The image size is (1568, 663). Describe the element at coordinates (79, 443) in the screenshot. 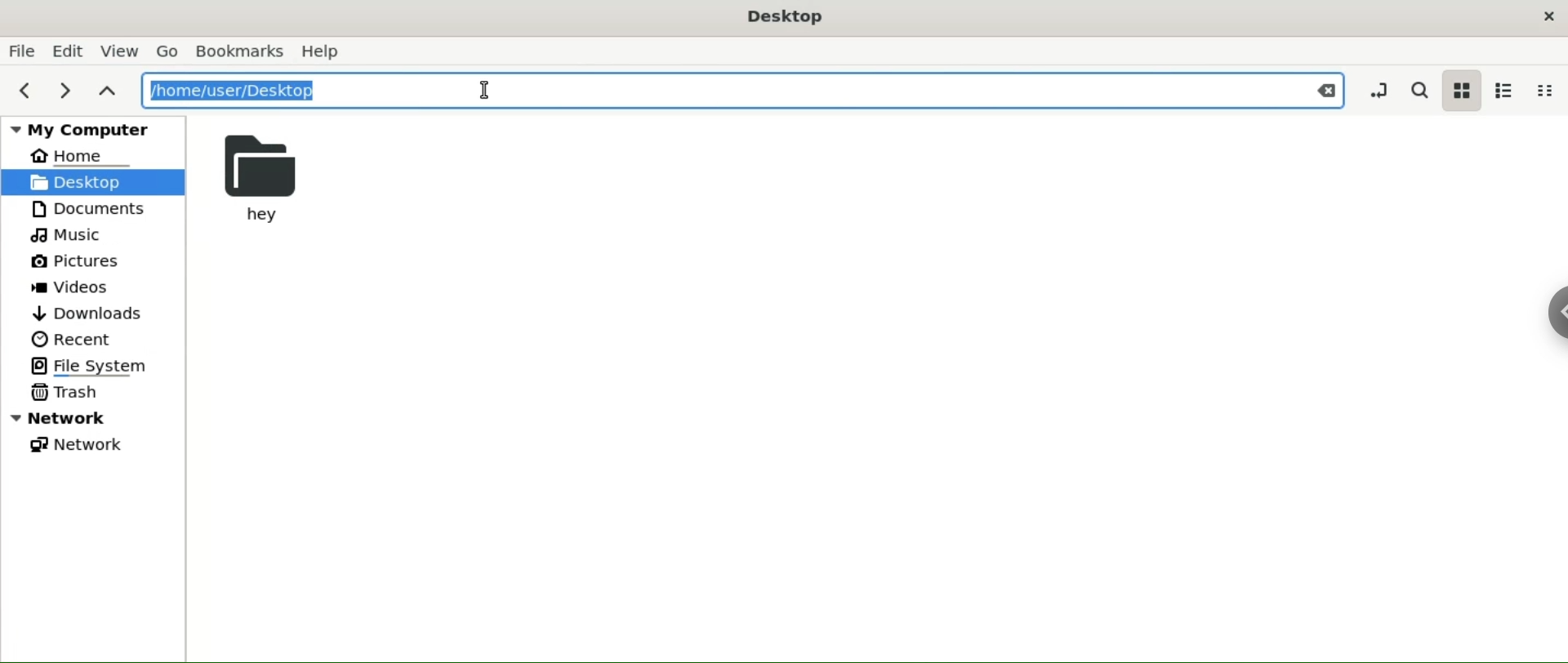

I see `network` at that location.